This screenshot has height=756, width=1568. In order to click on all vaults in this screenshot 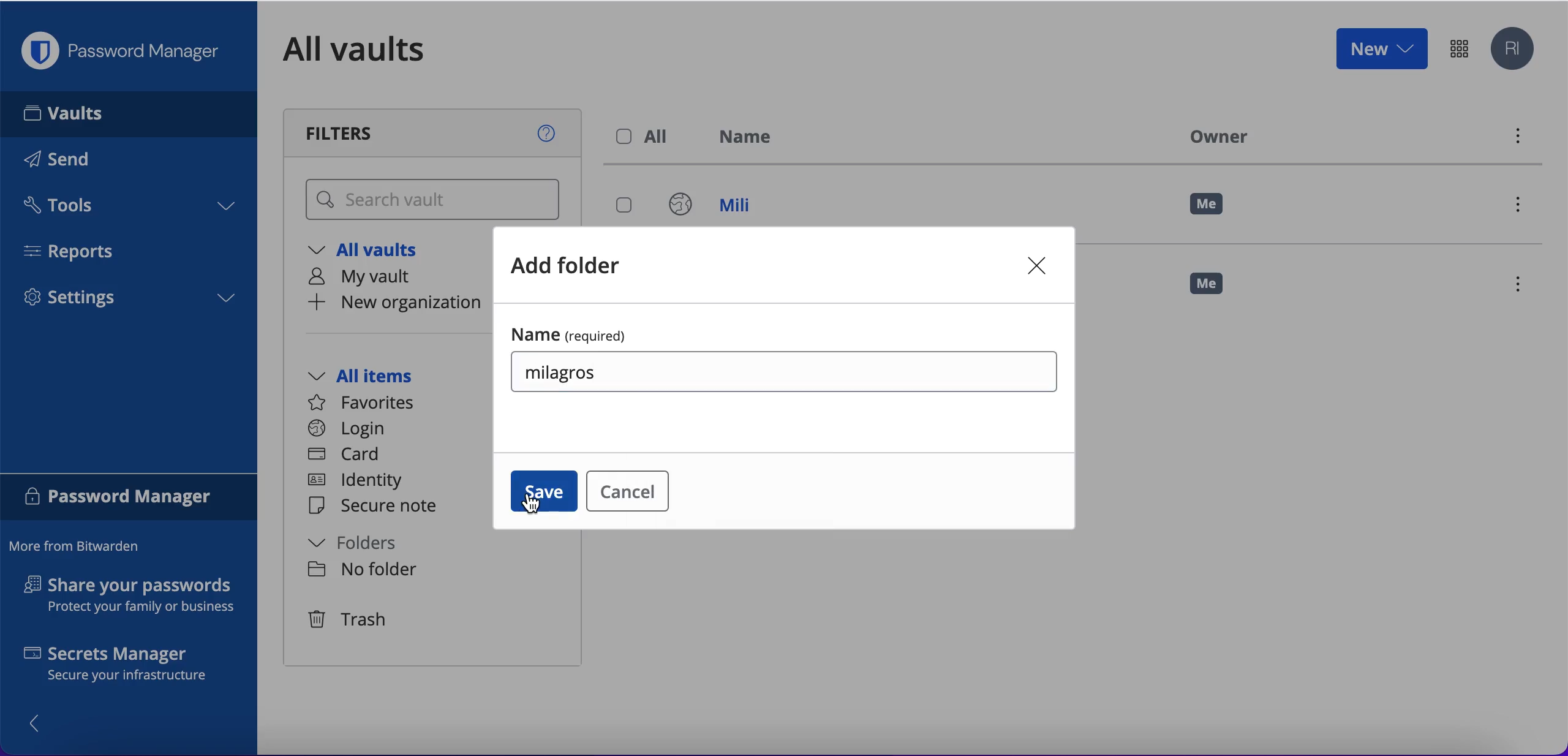, I will do `click(372, 251)`.